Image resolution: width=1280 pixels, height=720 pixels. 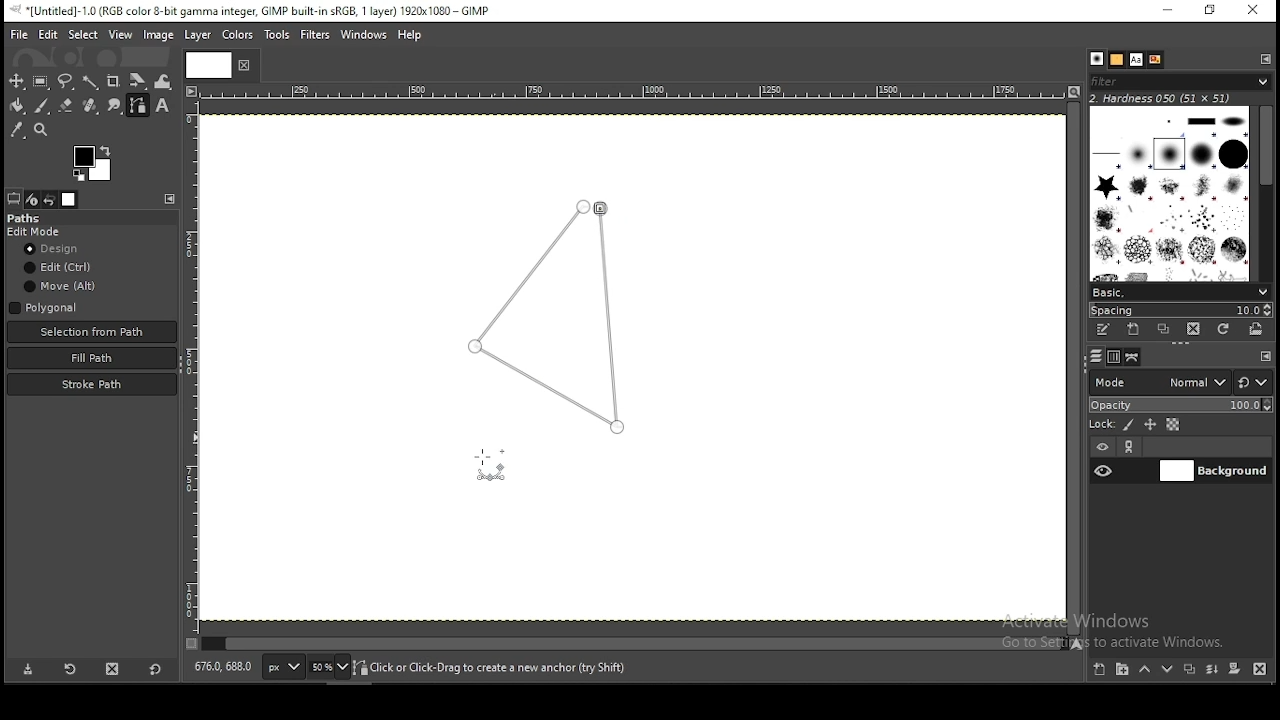 What do you see at coordinates (70, 199) in the screenshot?
I see `images` at bounding box center [70, 199].